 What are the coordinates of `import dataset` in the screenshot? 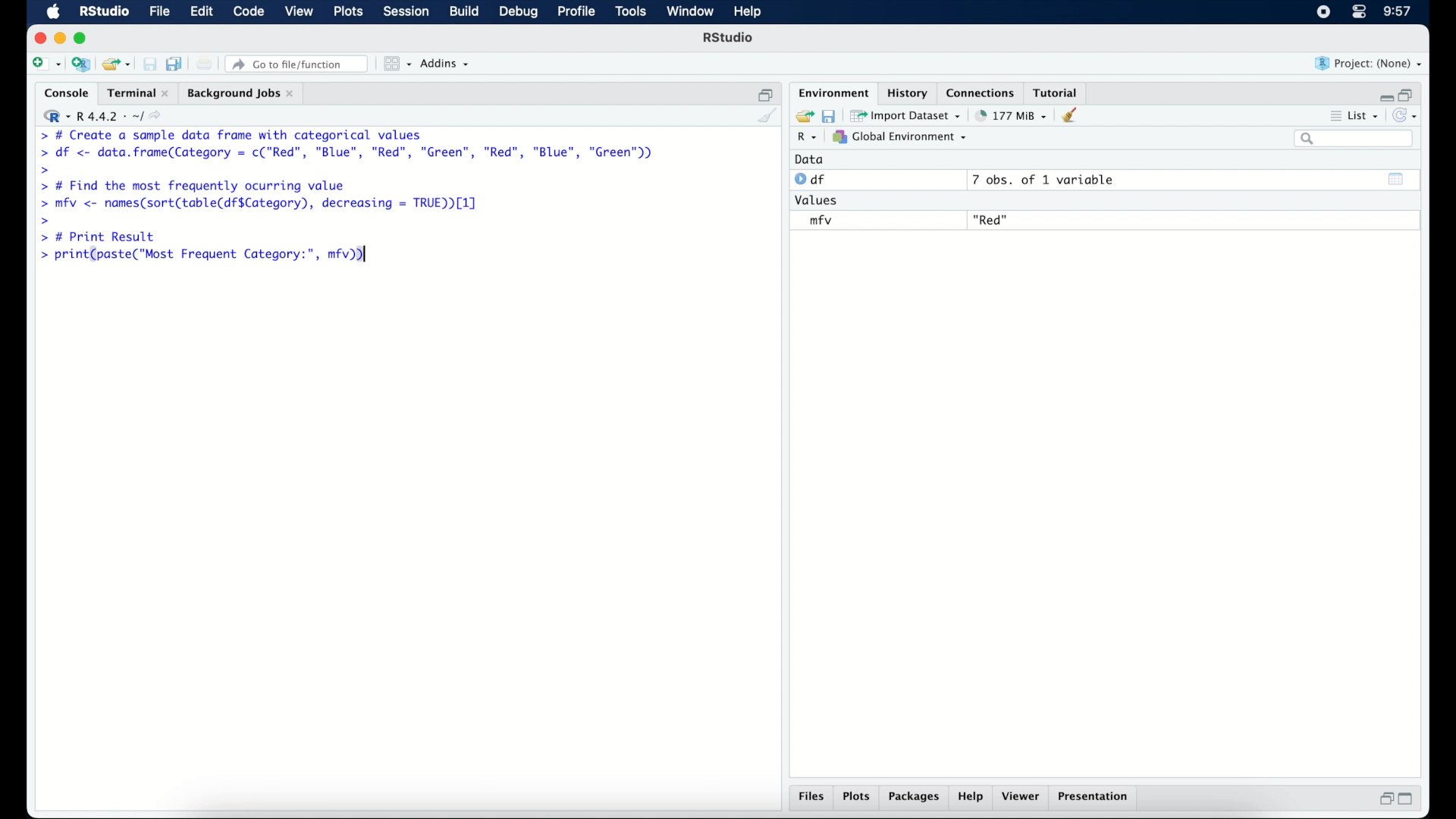 It's located at (907, 115).